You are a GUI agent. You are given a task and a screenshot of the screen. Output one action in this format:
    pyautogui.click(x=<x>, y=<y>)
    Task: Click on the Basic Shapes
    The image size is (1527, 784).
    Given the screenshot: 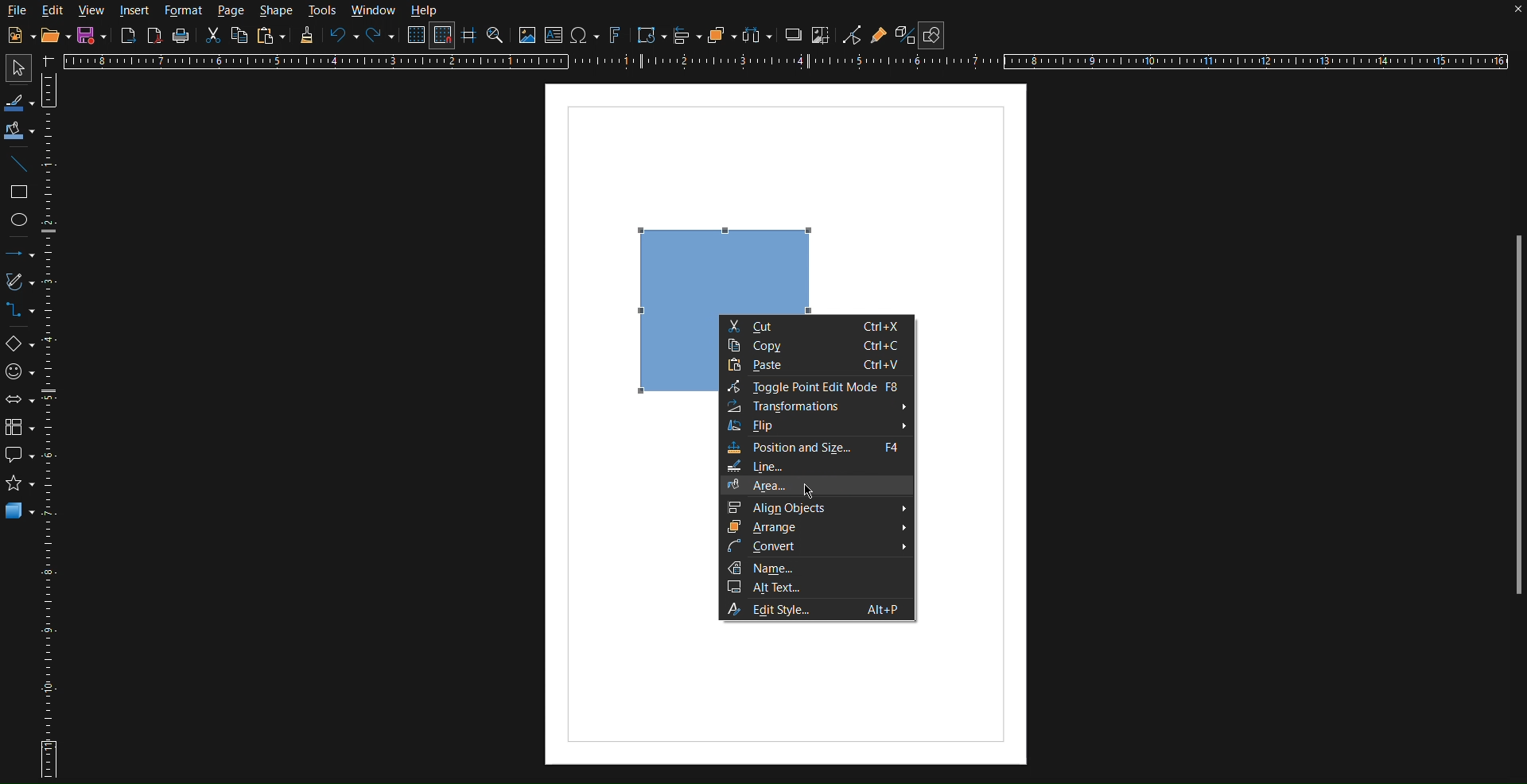 What is the action you would take?
    pyautogui.click(x=18, y=343)
    